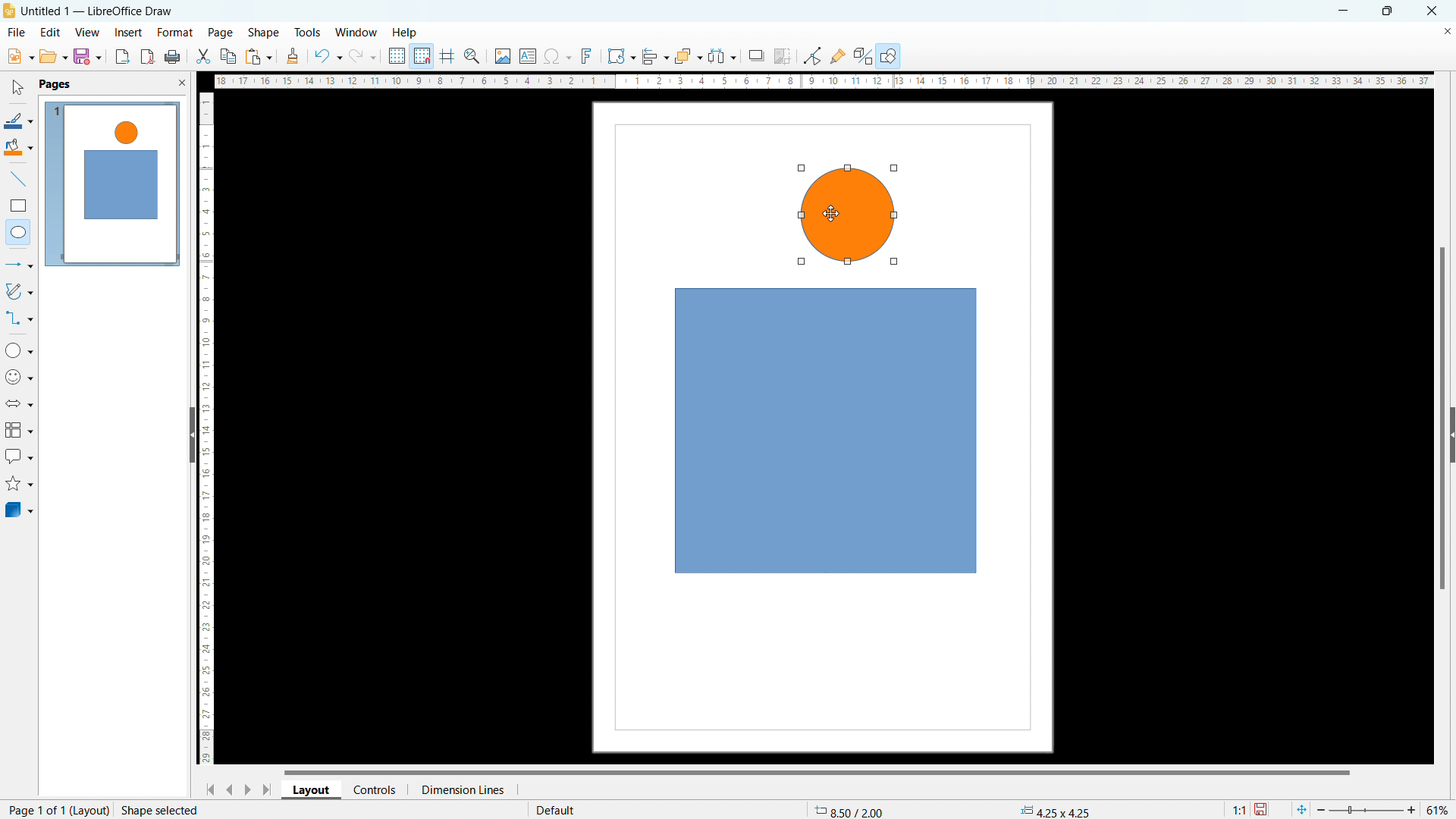  I want to click on lines and arrows, so click(20, 266).